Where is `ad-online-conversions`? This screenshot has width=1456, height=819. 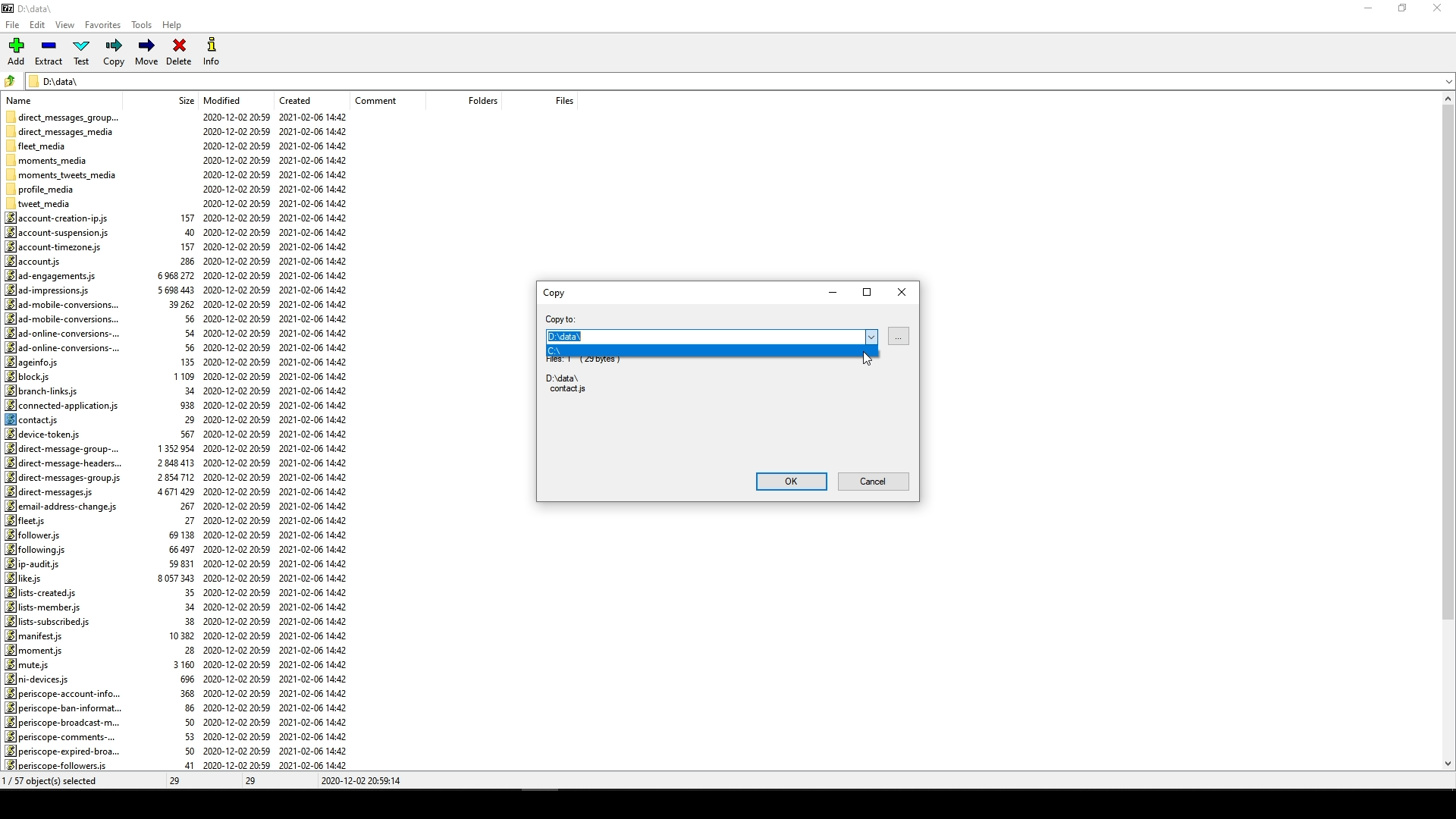
ad-online-conversions is located at coordinates (63, 333).